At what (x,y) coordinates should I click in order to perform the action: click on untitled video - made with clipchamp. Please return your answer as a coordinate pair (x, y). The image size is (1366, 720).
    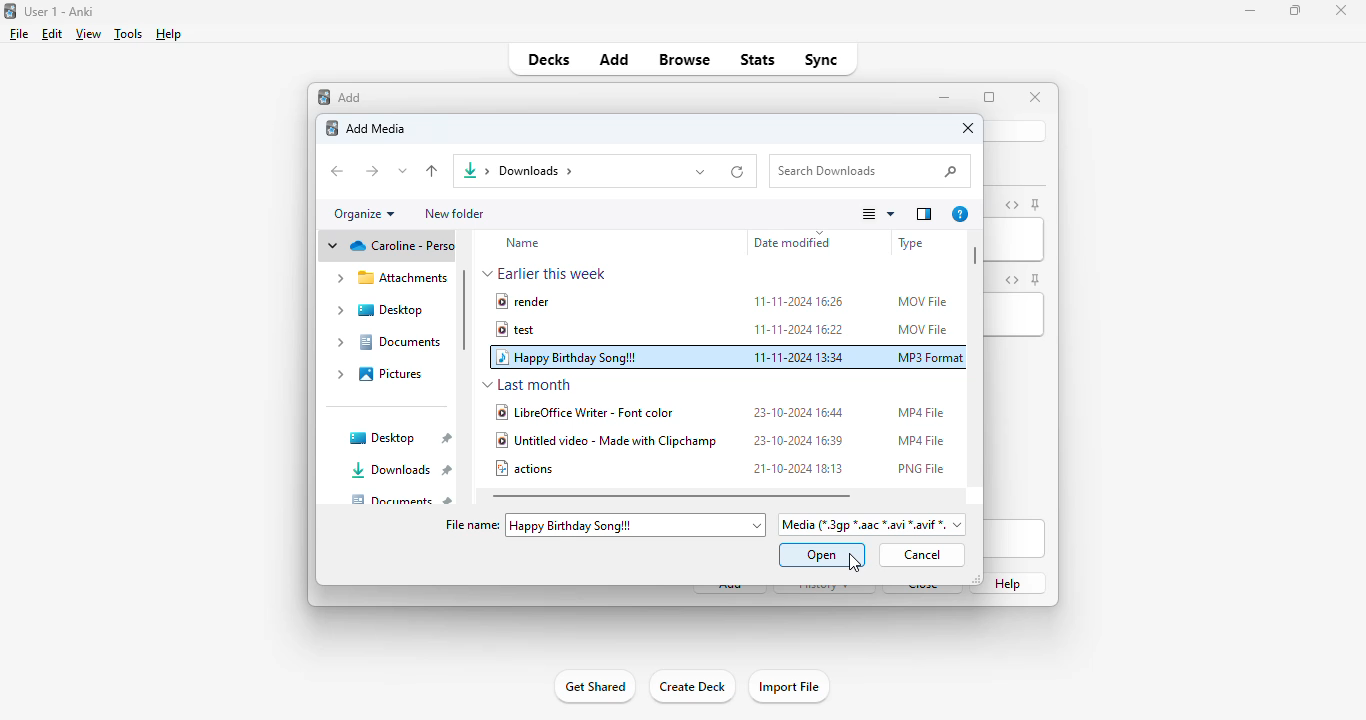
    Looking at the image, I should click on (610, 440).